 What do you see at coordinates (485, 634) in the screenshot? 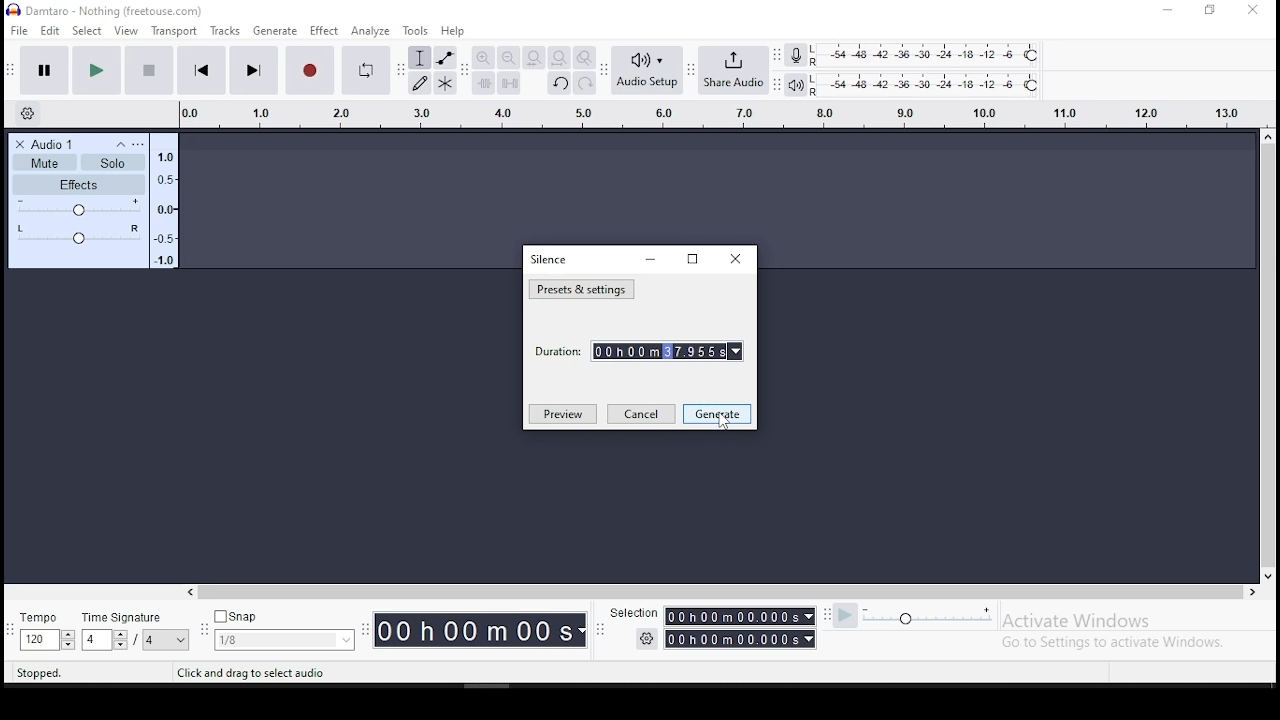
I see `Timer` at bounding box center [485, 634].